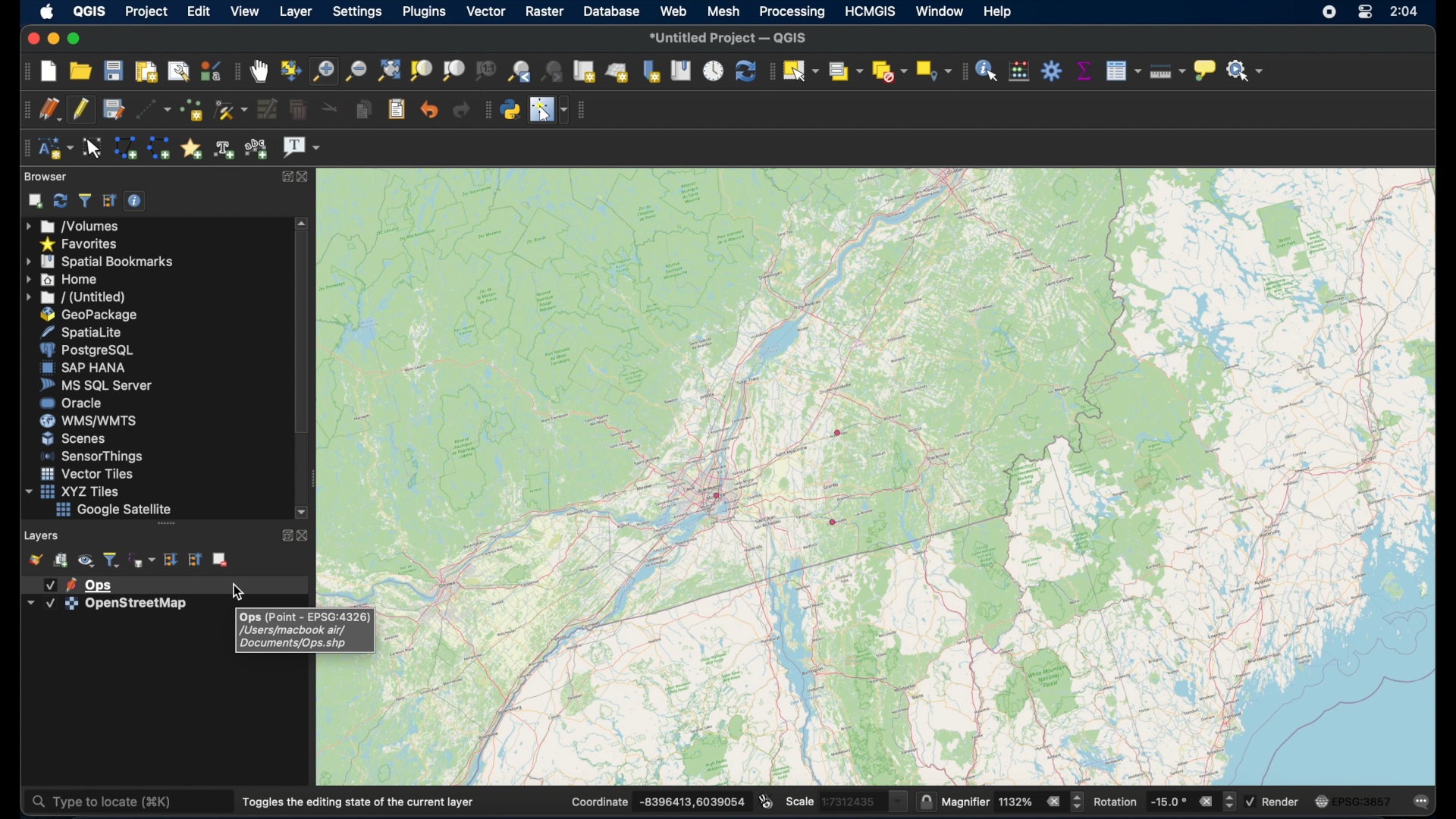  I want to click on zoom full, so click(388, 72).